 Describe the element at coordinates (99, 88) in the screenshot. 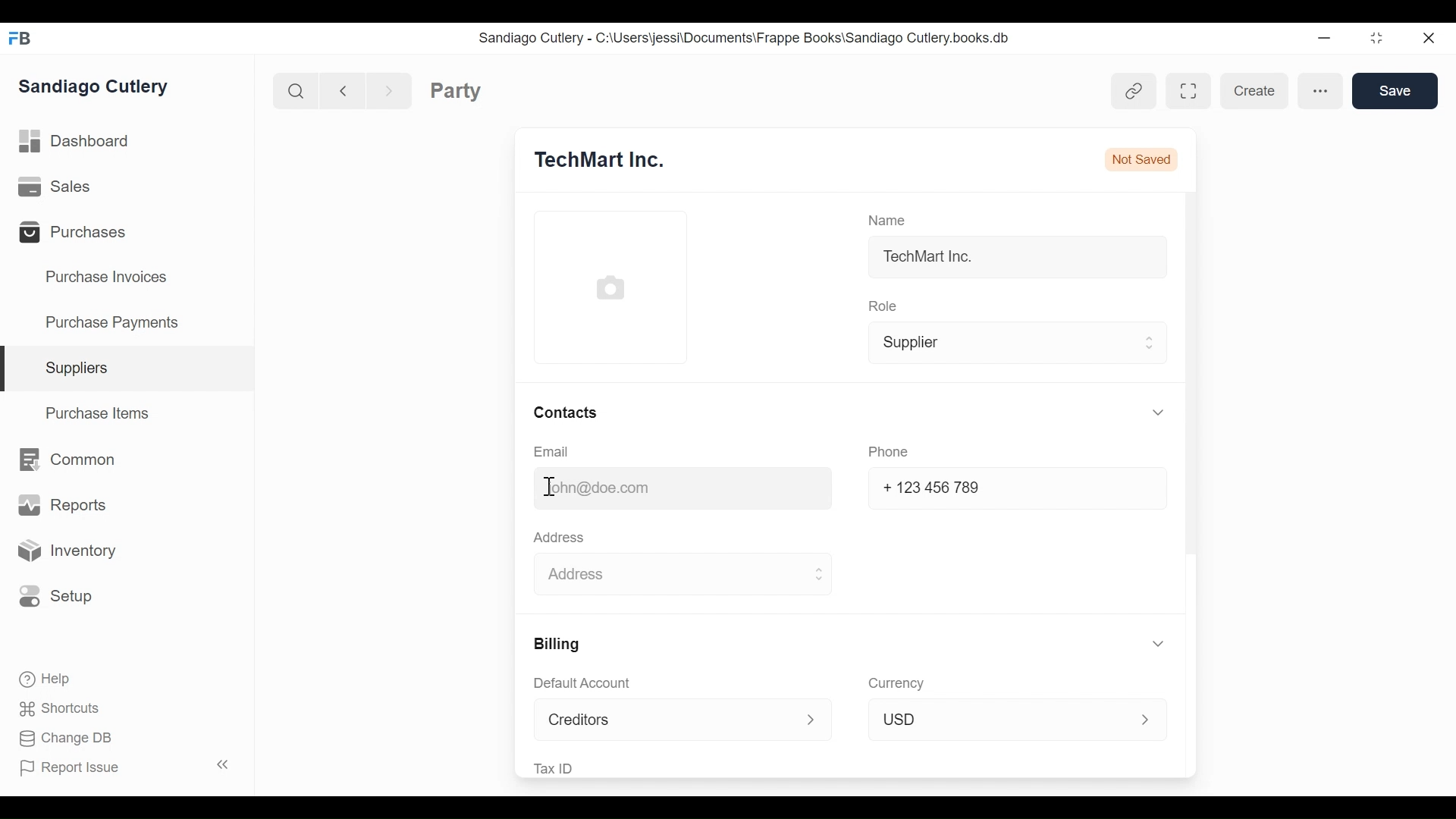

I see `Sandiago Cutlery` at that location.